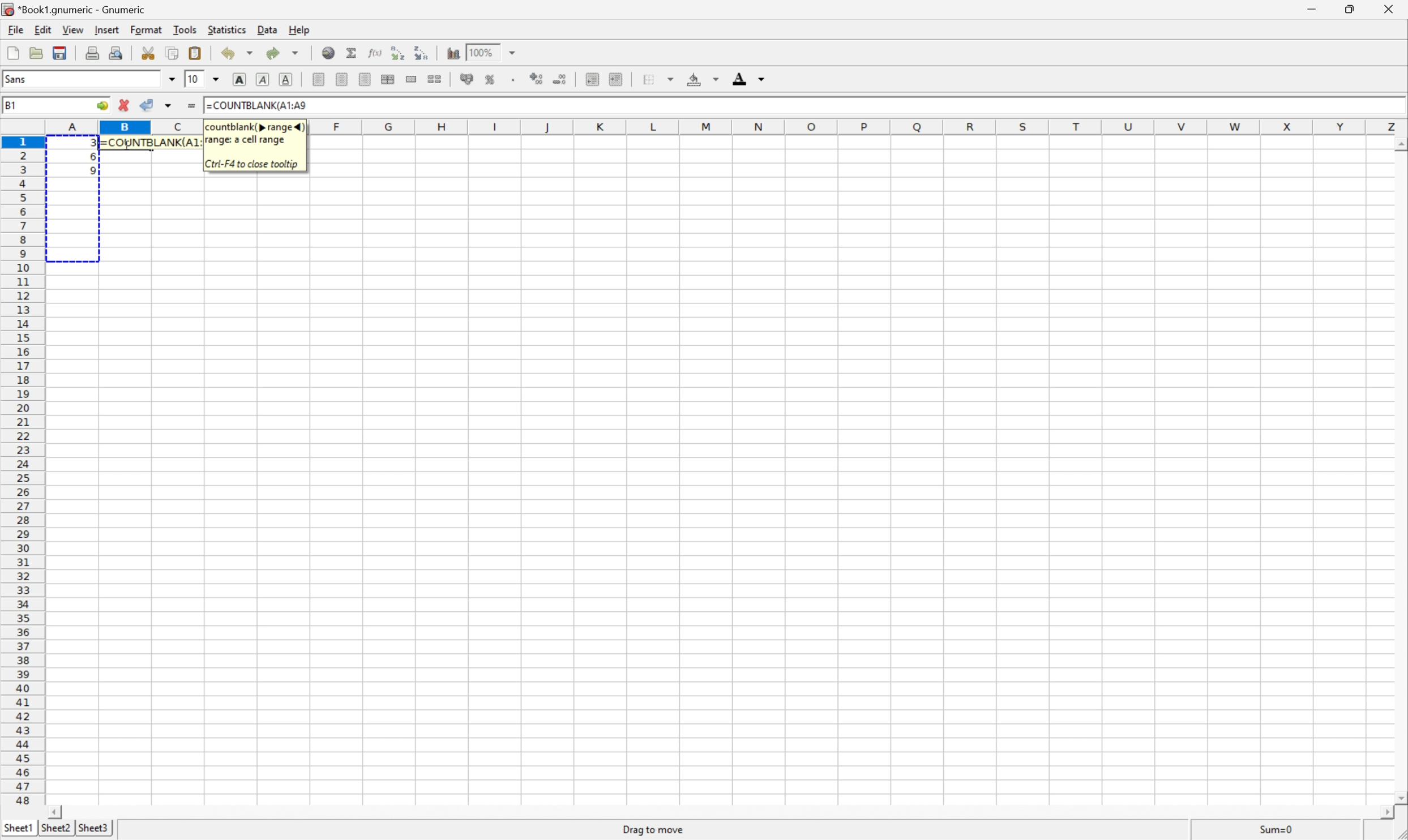 This screenshot has width=1408, height=840. Describe the element at coordinates (12, 53) in the screenshot. I see `Create a new workbook` at that location.